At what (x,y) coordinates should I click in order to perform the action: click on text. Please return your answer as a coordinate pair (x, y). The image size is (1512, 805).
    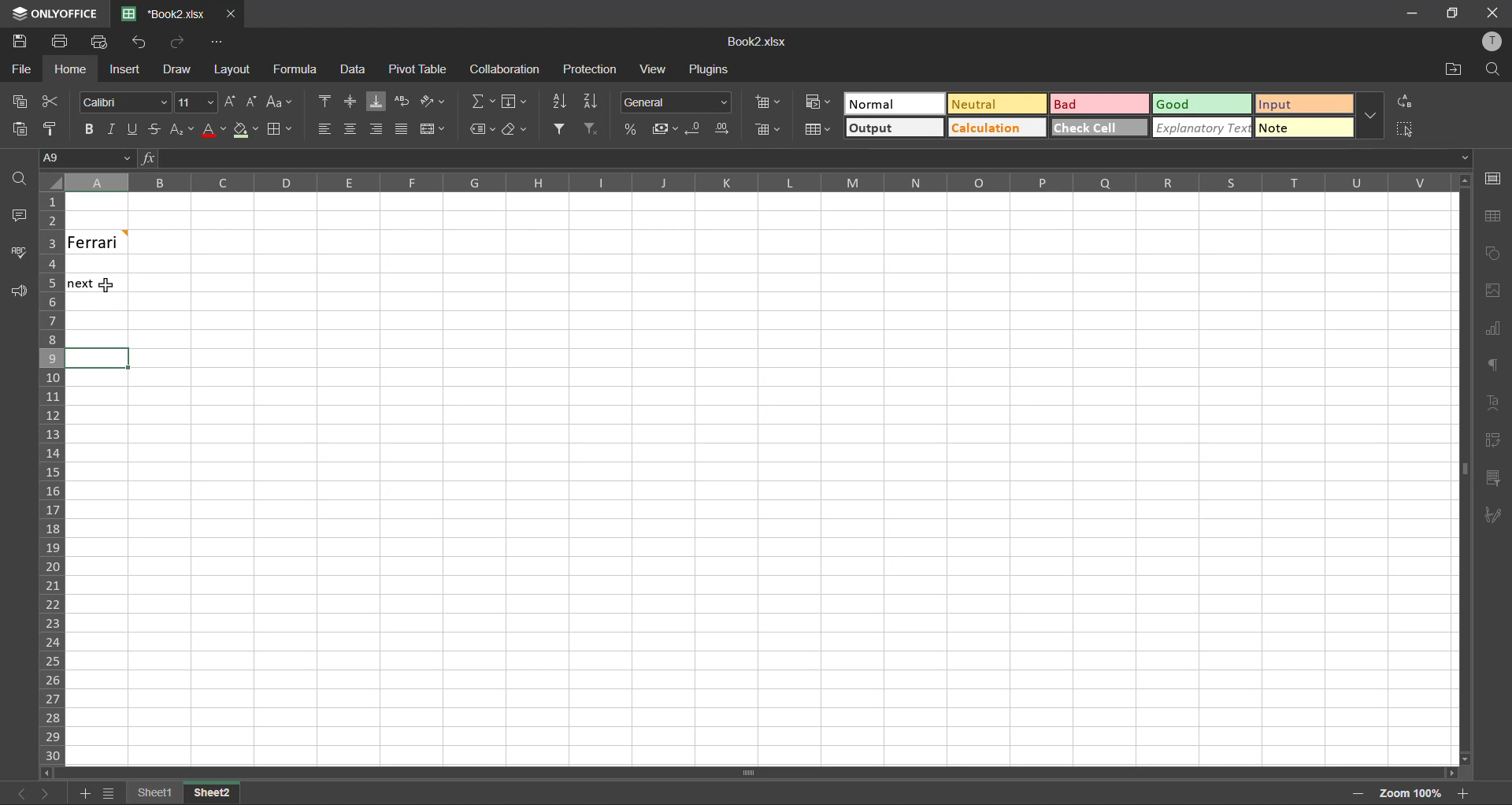
    Looking at the image, I should click on (1495, 400).